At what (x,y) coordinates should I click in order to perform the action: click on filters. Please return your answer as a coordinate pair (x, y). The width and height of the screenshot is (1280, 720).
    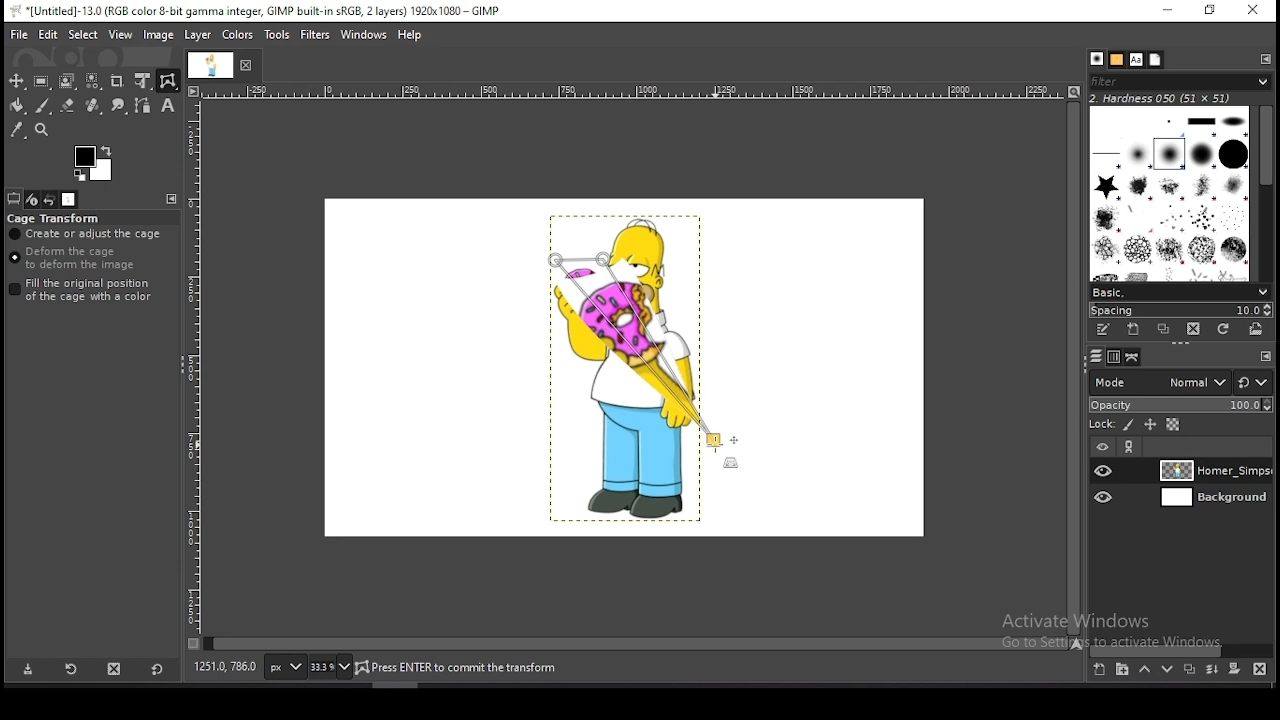
    Looking at the image, I should click on (316, 35).